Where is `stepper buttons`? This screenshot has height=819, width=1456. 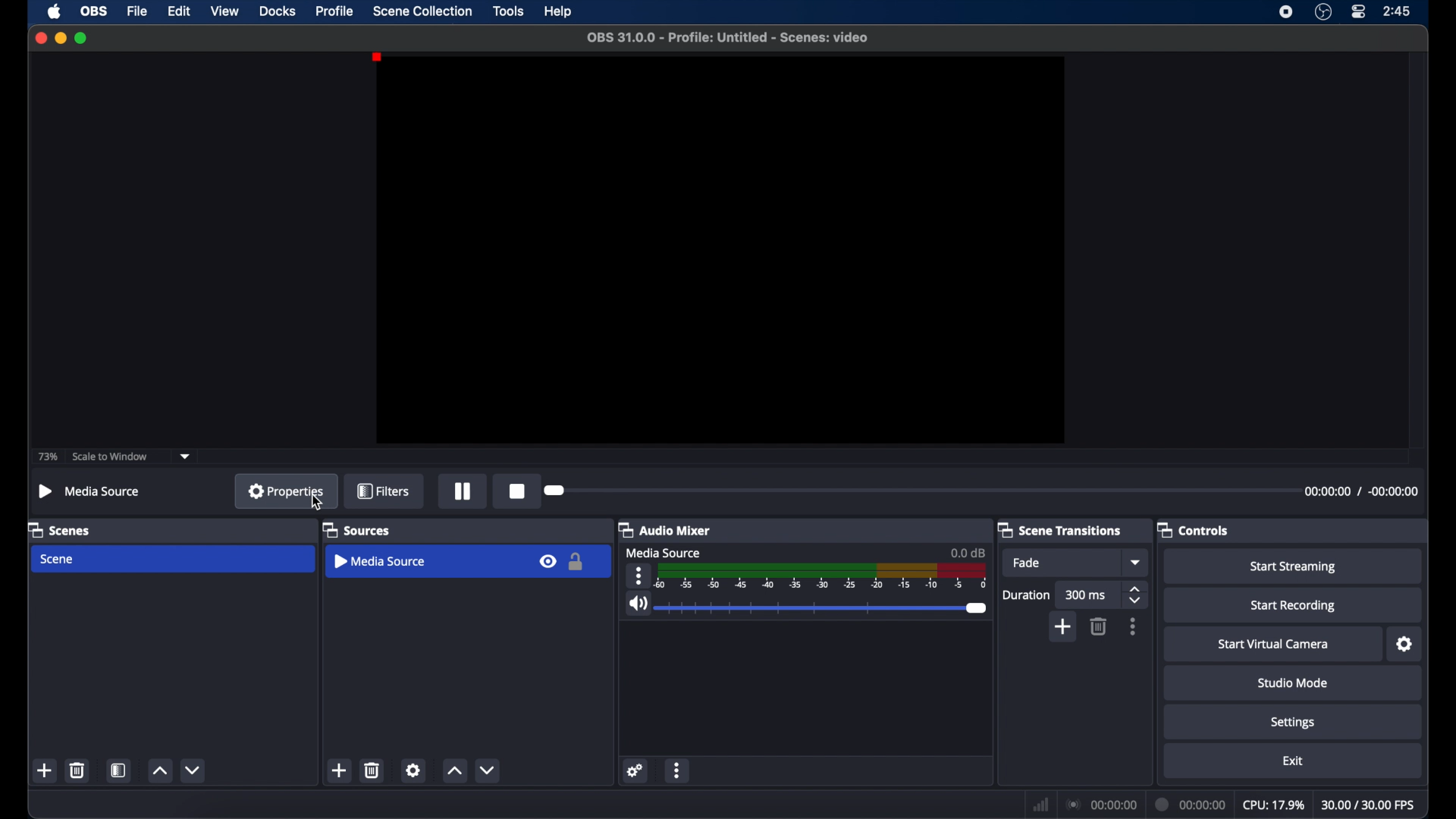 stepper buttons is located at coordinates (1137, 596).